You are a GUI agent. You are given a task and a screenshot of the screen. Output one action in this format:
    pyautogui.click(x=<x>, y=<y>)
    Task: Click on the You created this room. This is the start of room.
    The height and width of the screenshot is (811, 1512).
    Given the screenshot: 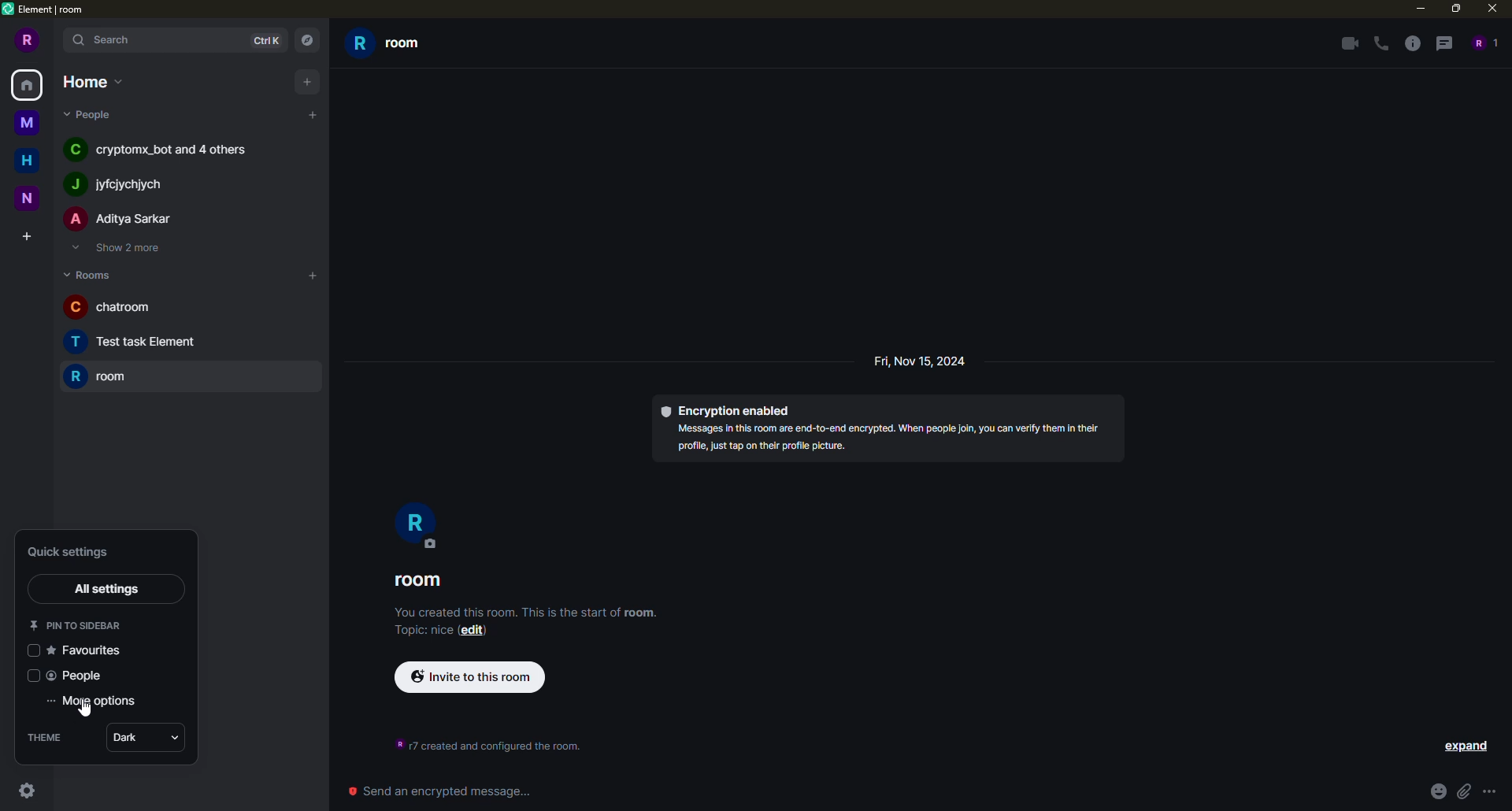 What is the action you would take?
    pyautogui.click(x=507, y=613)
    